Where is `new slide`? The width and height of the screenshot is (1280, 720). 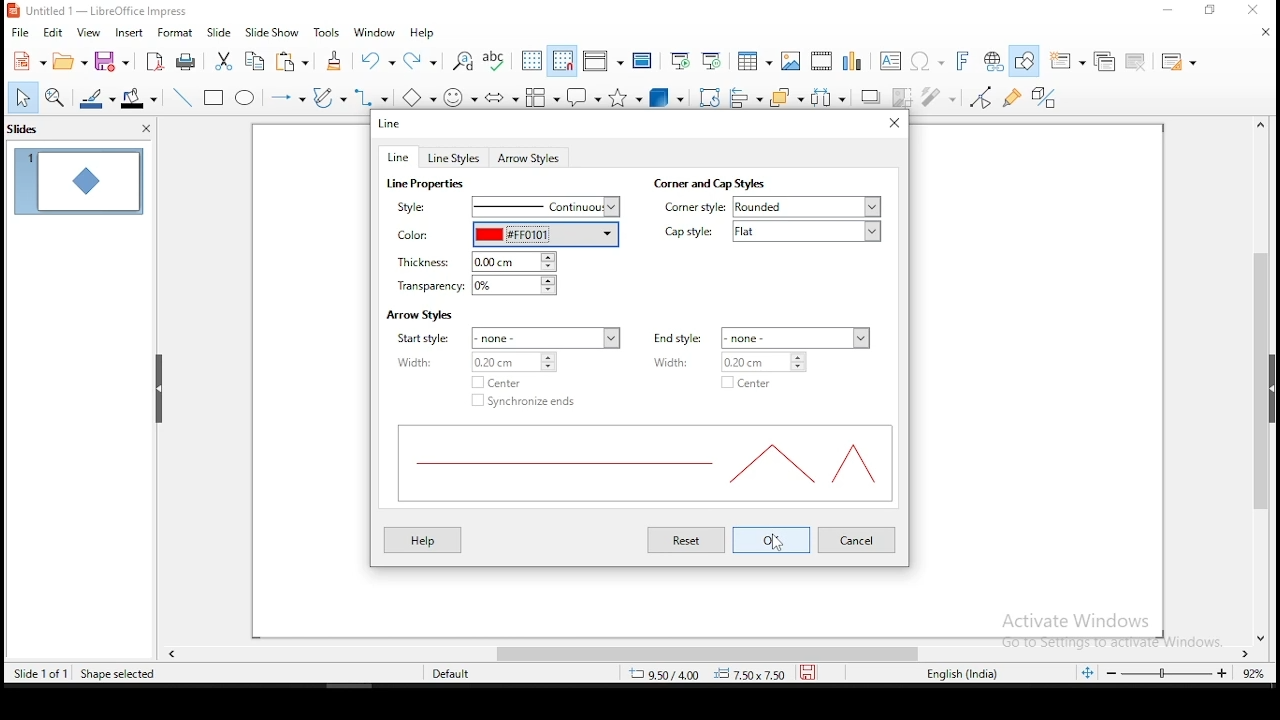 new slide is located at coordinates (1066, 60).